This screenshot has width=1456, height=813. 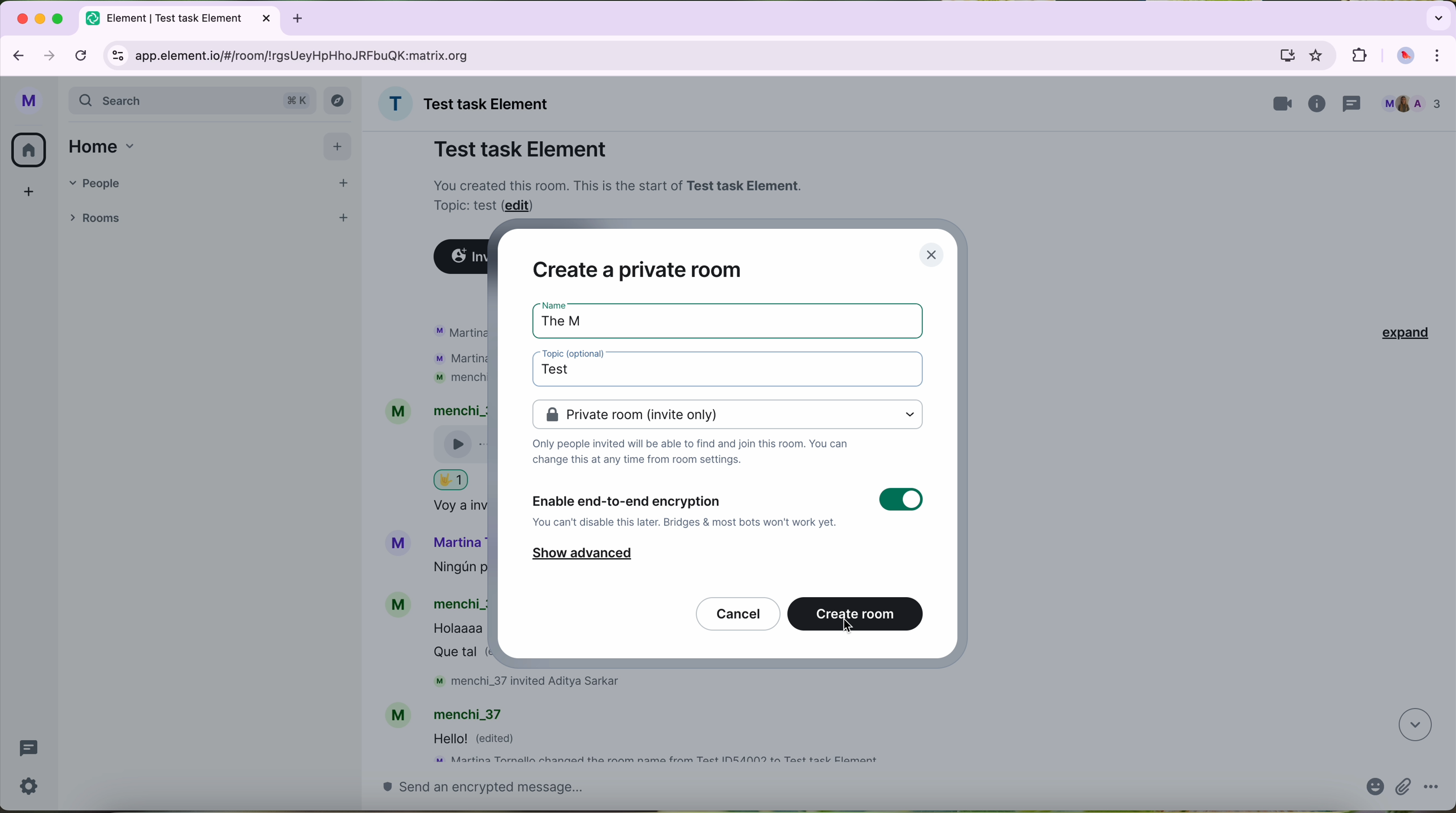 I want to click on favorites, so click(x=1319, y=56).